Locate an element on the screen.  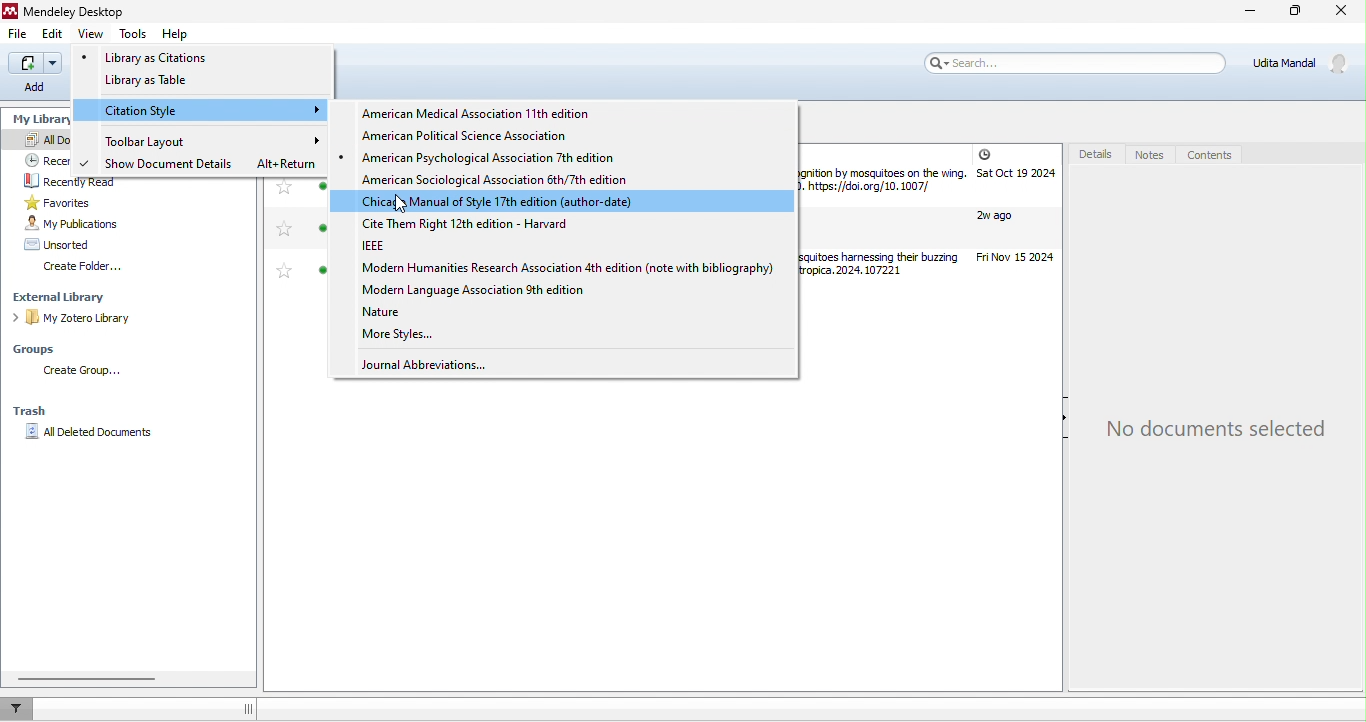
chicago manual of style 17th edition is located at coordinates (517, 203).